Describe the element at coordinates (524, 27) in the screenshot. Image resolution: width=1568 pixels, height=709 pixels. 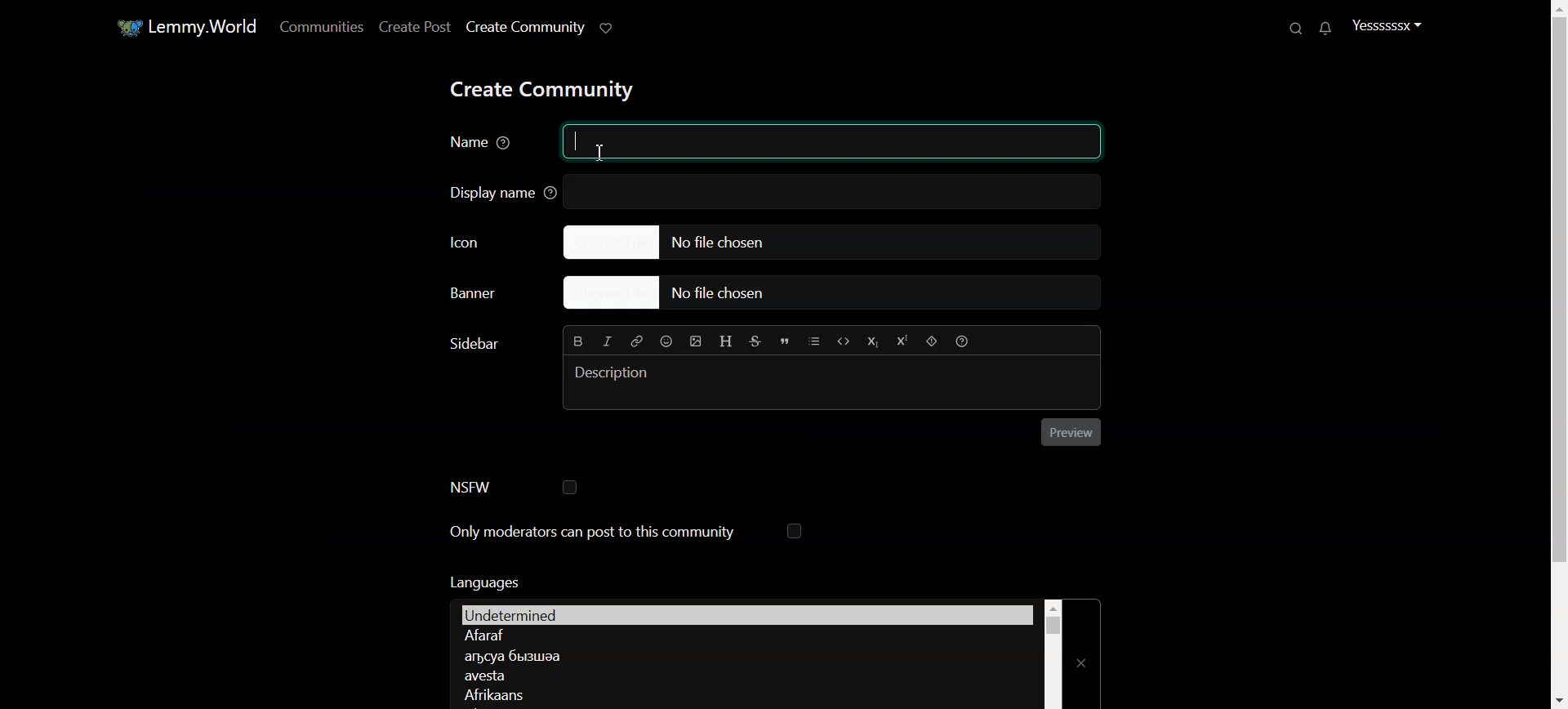
I see `Create Community` at that location.